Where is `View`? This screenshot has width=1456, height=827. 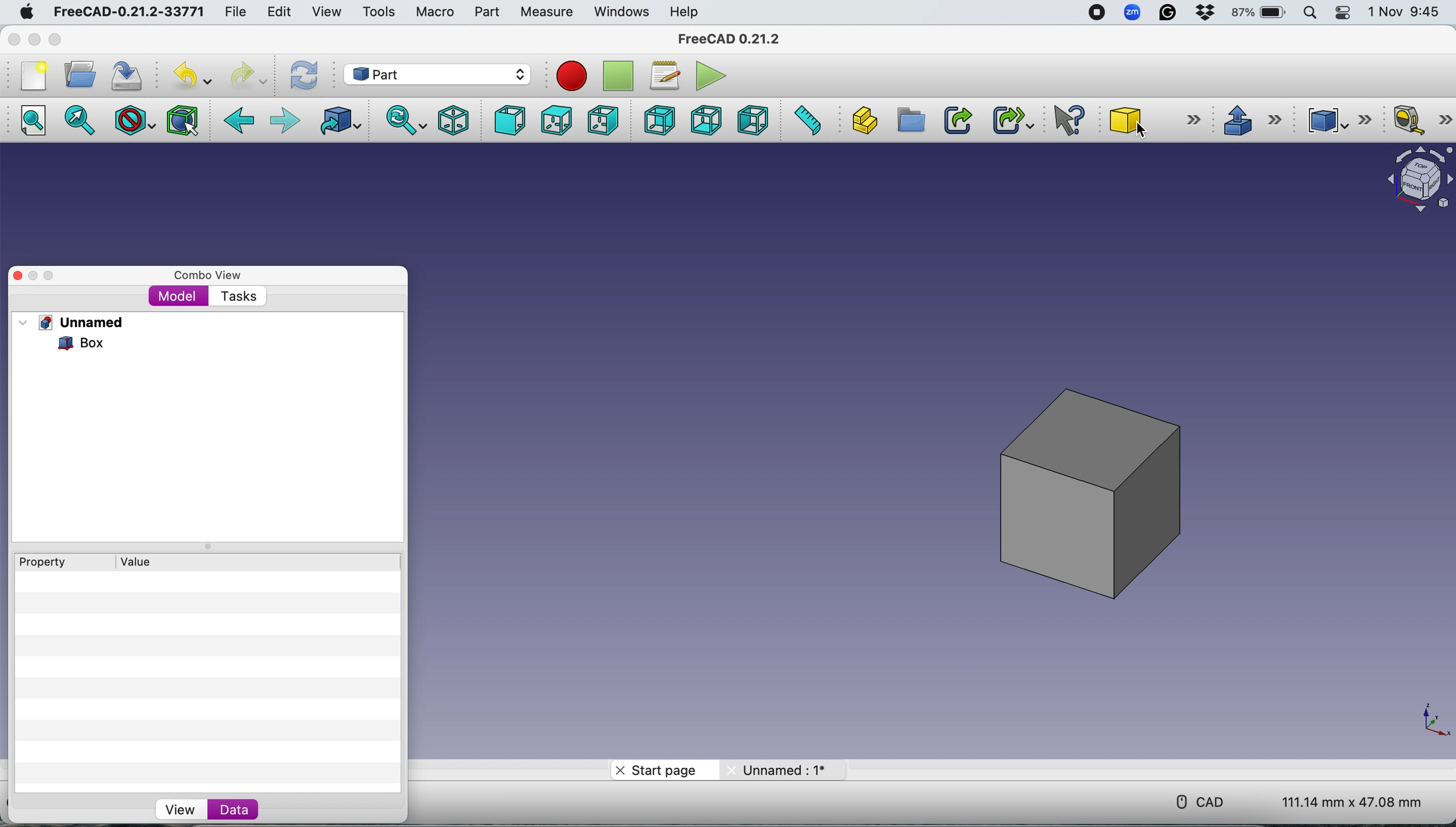
View is located at coordinates (326, 12).